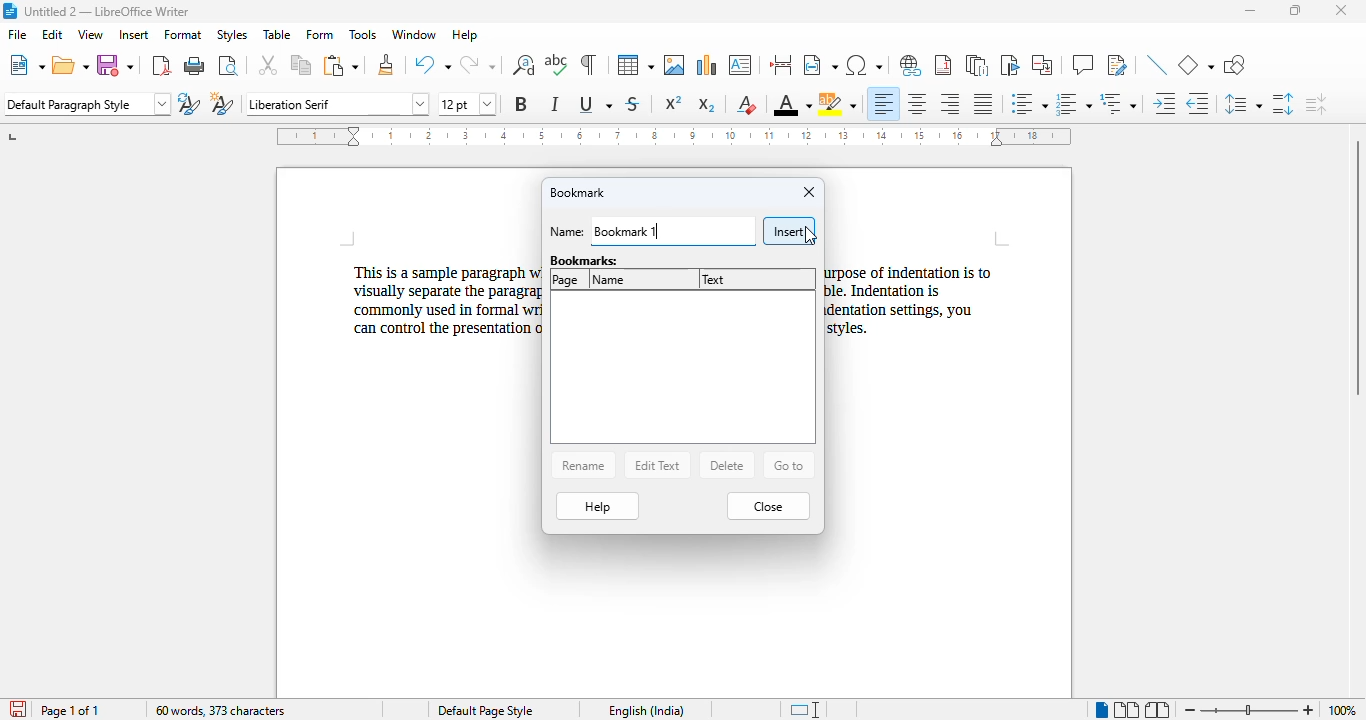 The image size is (1366, 720). What do you see at coordinates (576, 193) in the screenshot?
I see `bookmark` at bounding box center [576, 193].